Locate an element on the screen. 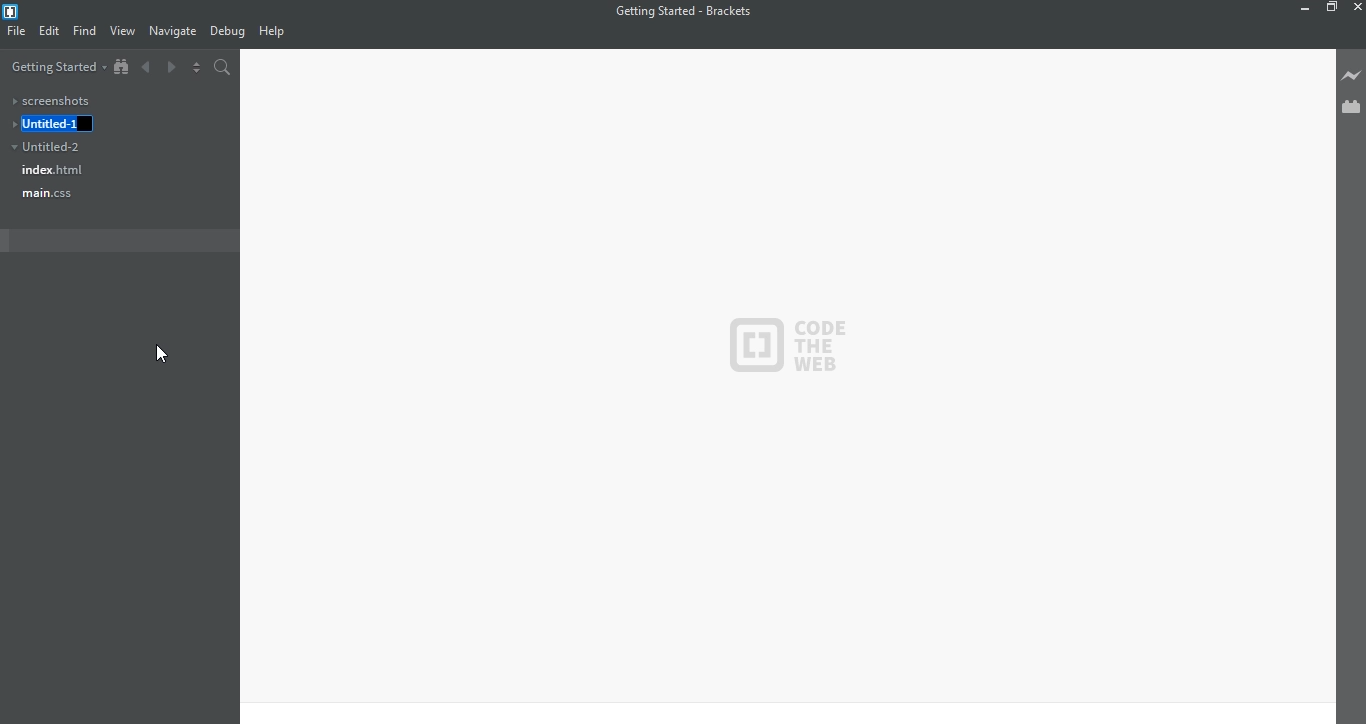  cursor is located at coordinates (161, 354).